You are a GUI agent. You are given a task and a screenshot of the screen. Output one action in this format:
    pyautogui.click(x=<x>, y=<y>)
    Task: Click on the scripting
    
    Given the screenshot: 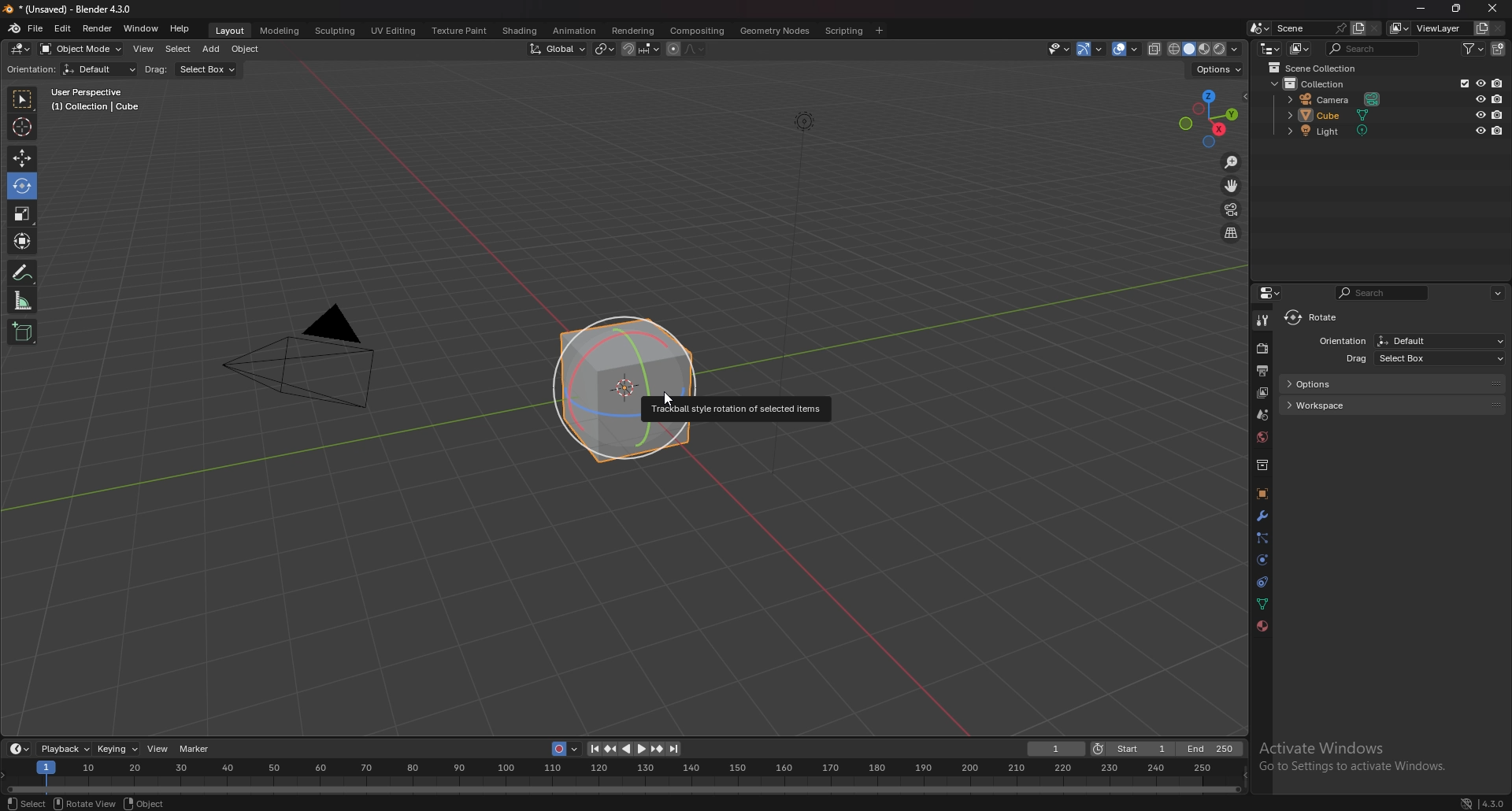 What is the action you would take?
    pyautogui.click(x=844, y=30)
    